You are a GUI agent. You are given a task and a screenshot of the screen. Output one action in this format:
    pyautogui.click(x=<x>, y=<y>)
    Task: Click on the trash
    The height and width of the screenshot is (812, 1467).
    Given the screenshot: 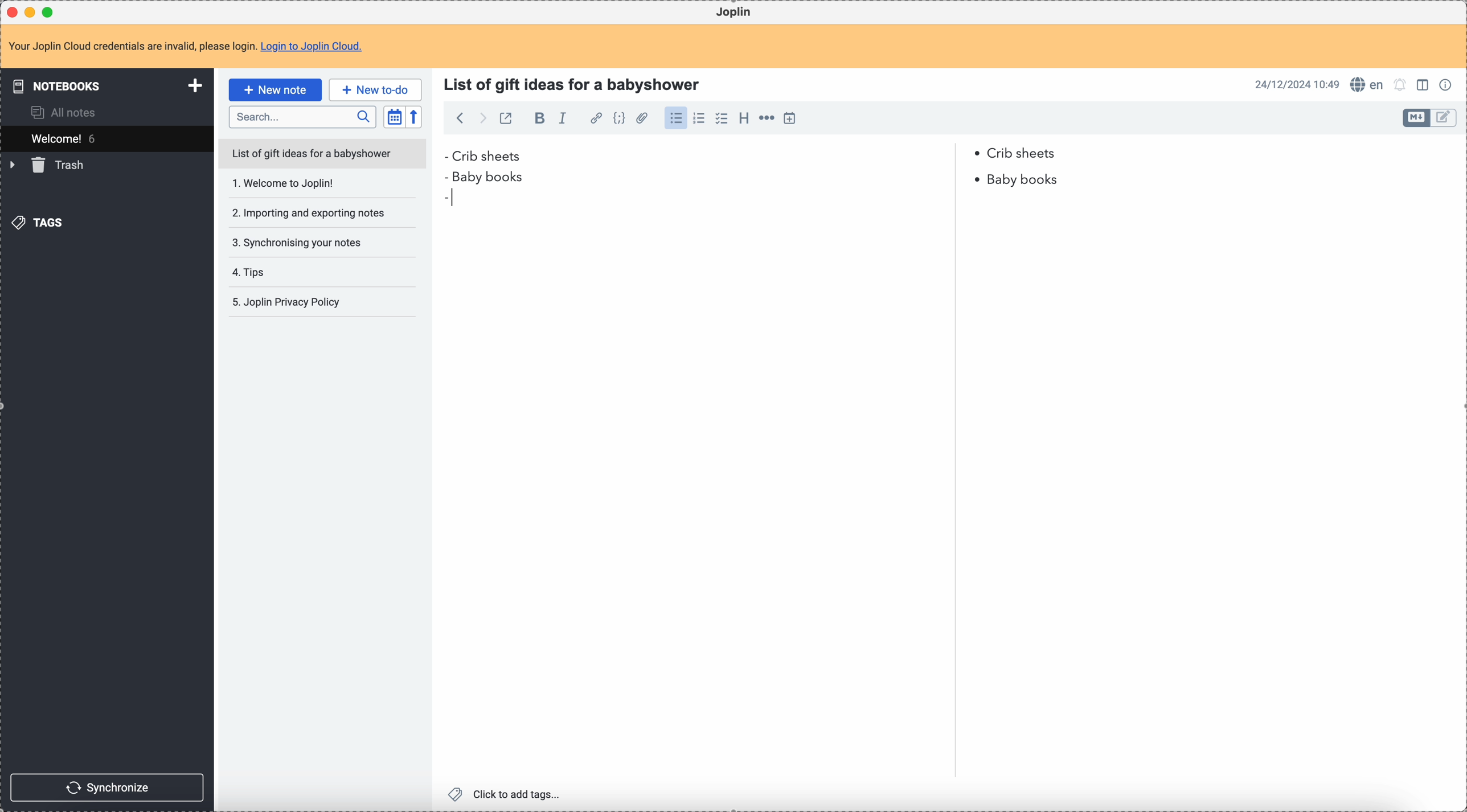 What is the action you would take?
    pyautogui.click(x=50, y=166)
    